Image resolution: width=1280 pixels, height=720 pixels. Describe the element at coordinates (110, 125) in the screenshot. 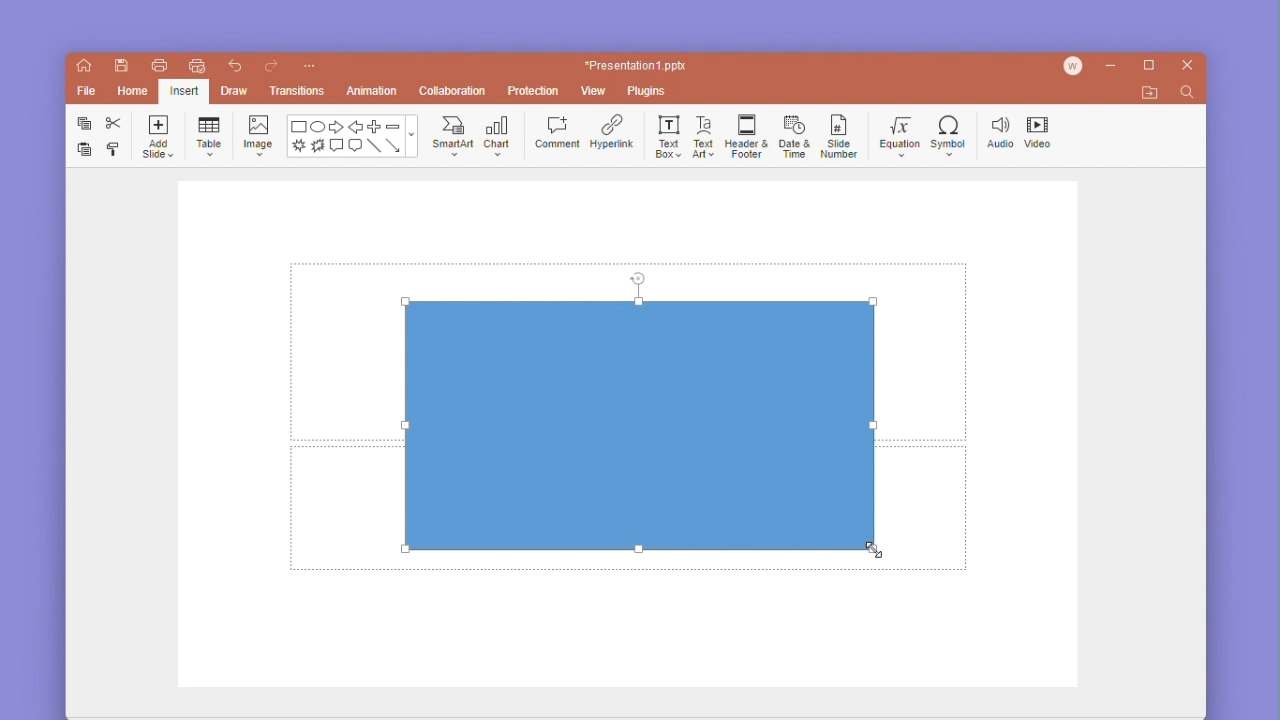

I see `cut` at that location.